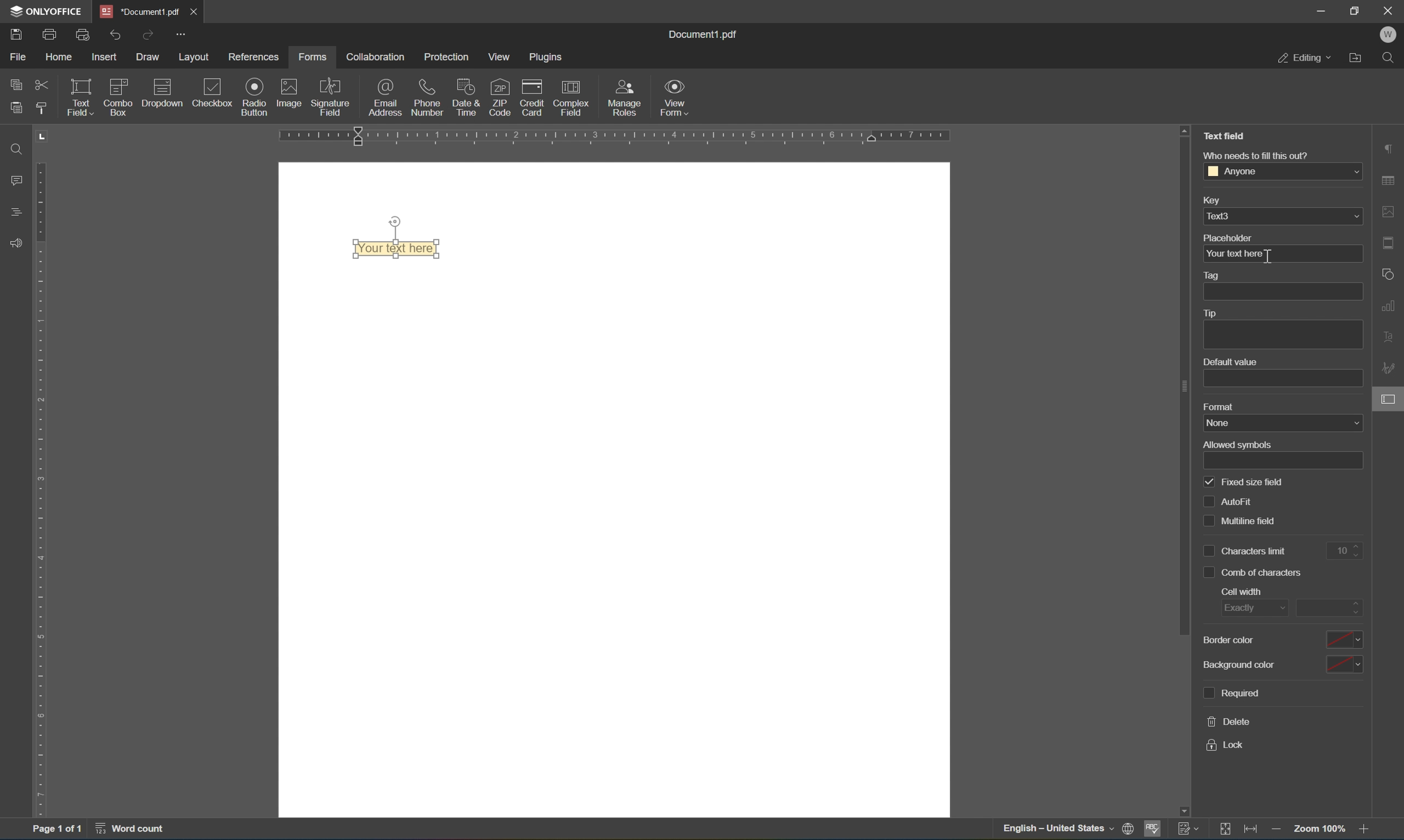 The width and height of the screenshot is (1404, 840). Describe the element at coordinates (41, 490) in the screenshot. I see `ruler` at that location.